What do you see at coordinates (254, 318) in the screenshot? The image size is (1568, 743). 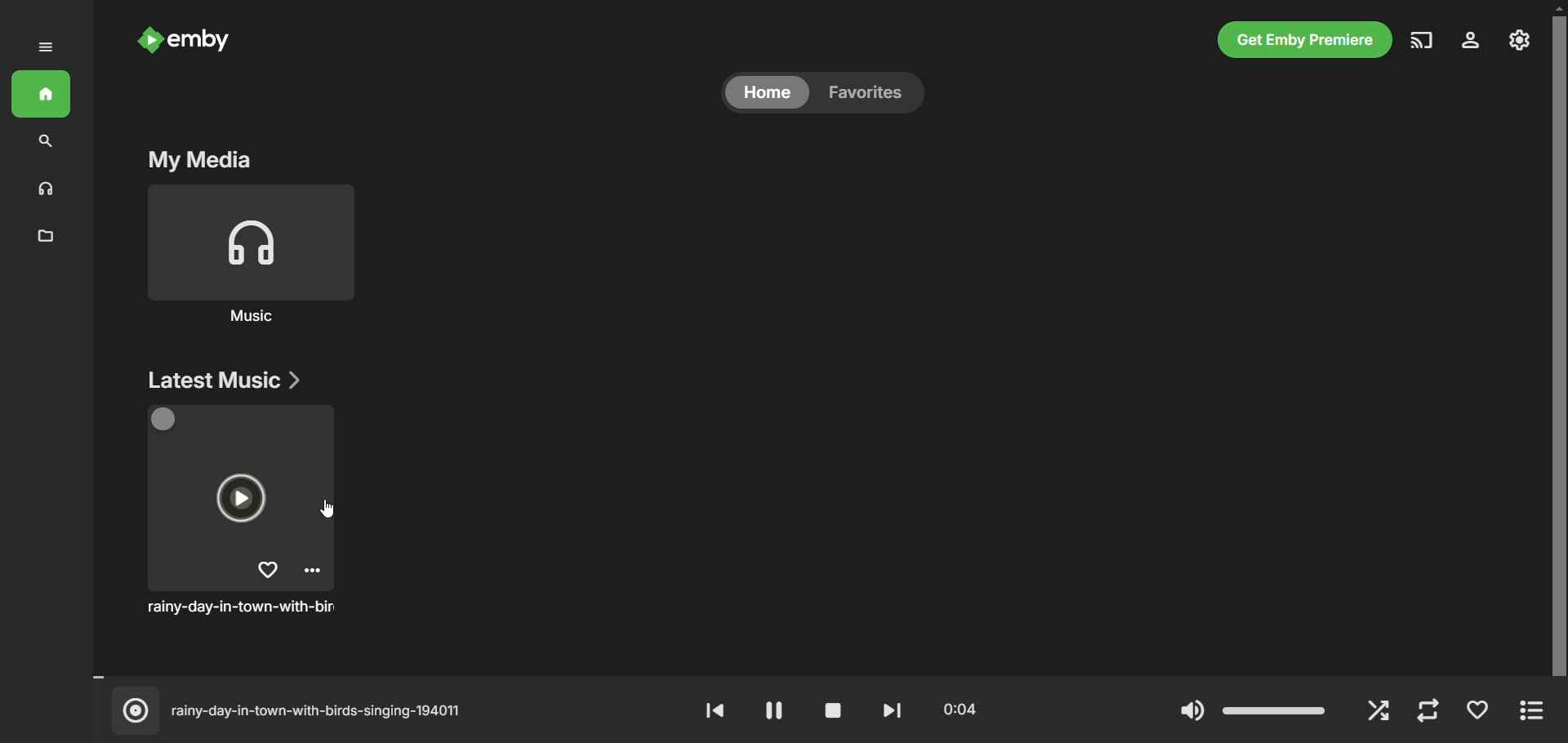 I see `music` at bounding box center [254, 318].